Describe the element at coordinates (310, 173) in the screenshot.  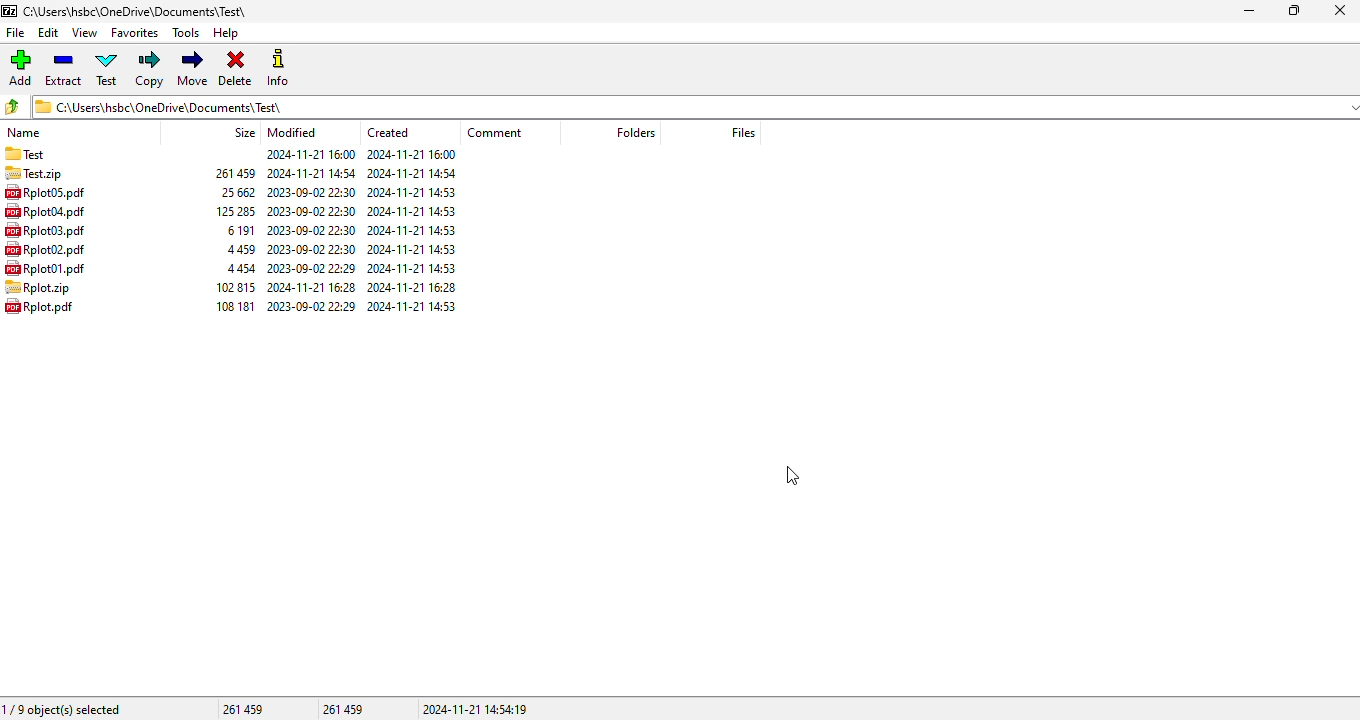
I see `modified date & time` at that location.